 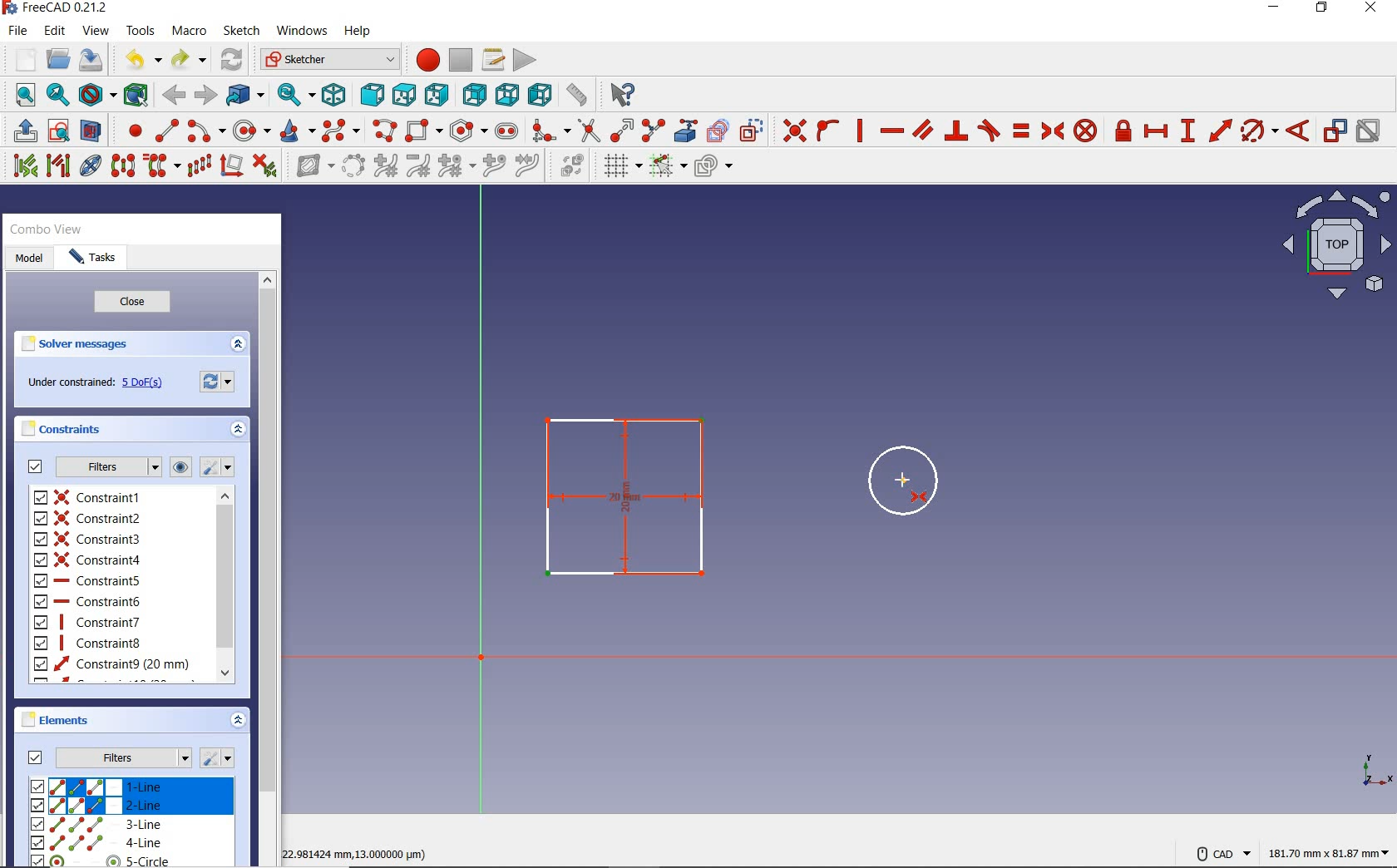 What do you see at coordinates (96, 257) in the screenshot?
I see `tasks` at bounding box center [96, 257].